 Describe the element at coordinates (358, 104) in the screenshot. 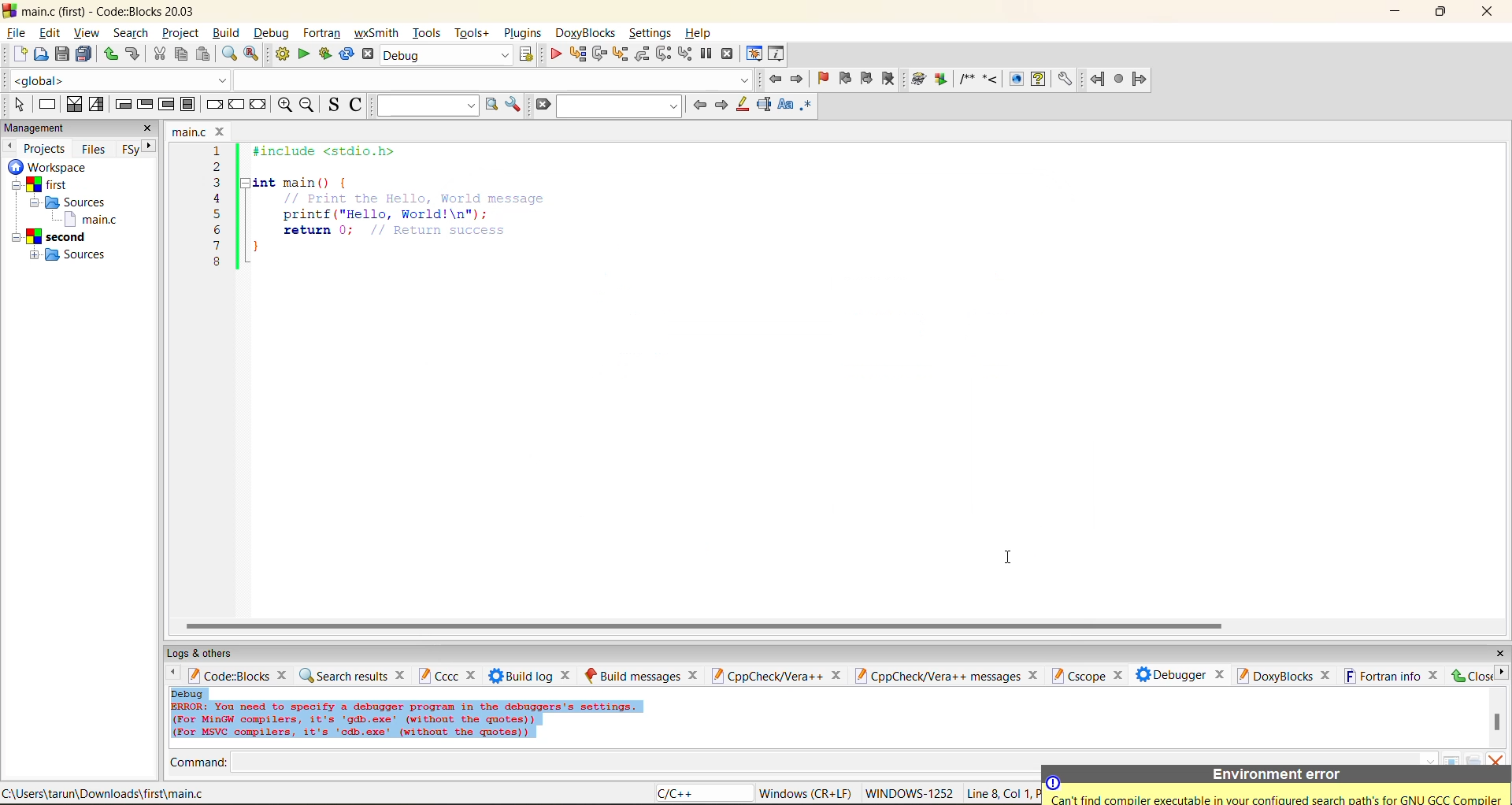

I see `toggle comments` at that location.